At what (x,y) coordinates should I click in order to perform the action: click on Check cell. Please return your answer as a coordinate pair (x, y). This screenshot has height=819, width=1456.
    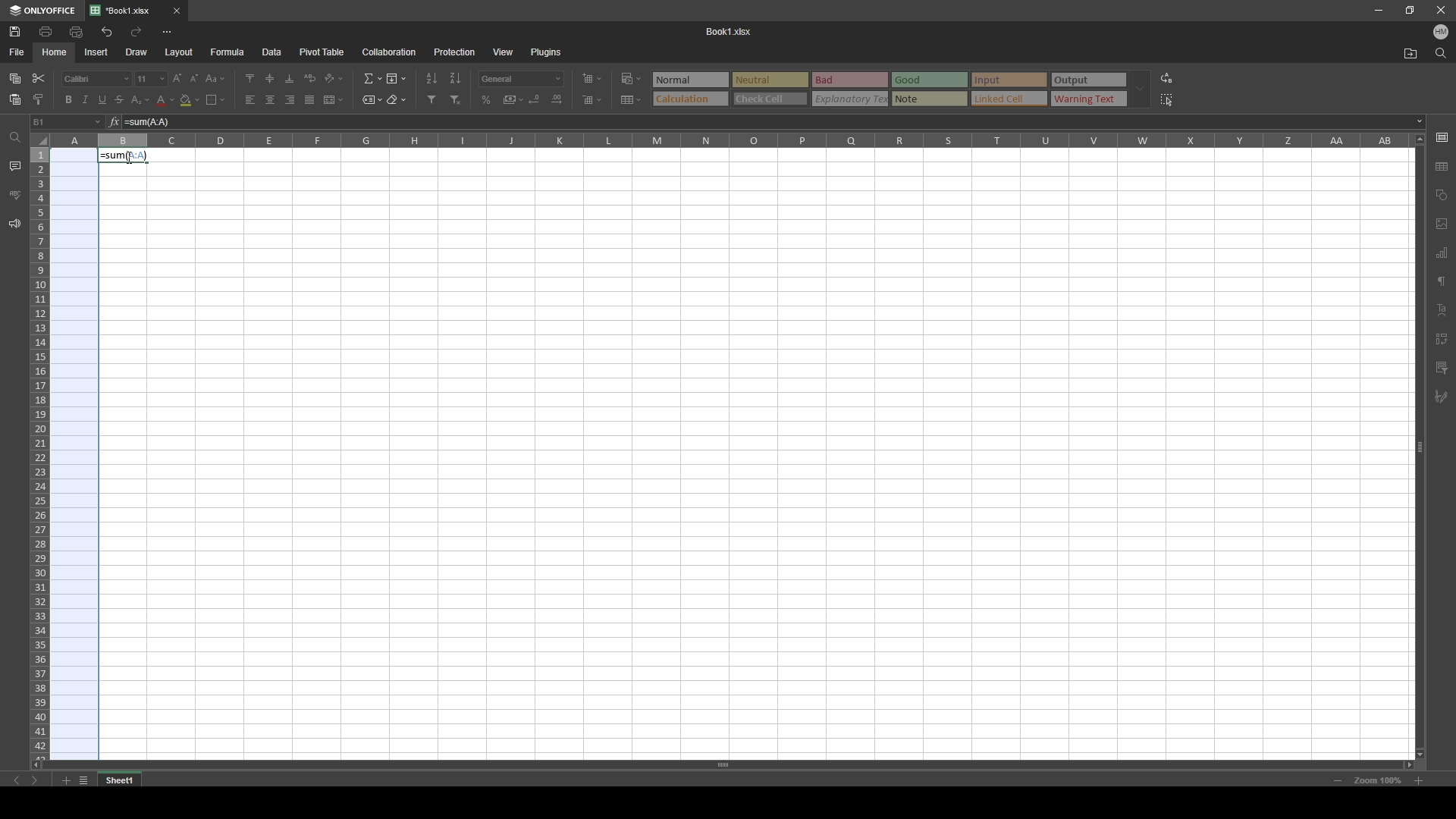
    Looking at the image, I should click on (770, 100).